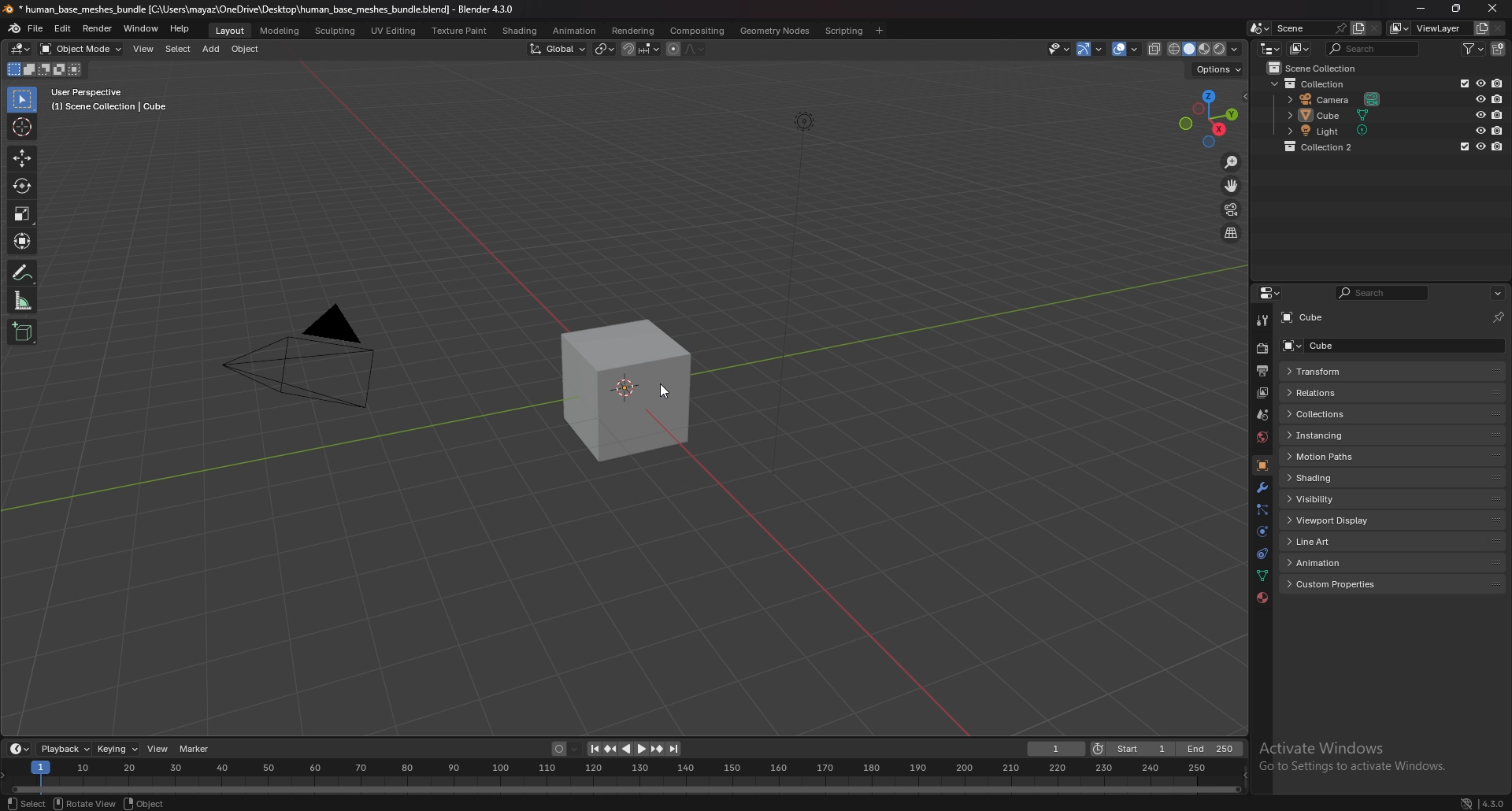  I want to click on add, so click(211, 49).